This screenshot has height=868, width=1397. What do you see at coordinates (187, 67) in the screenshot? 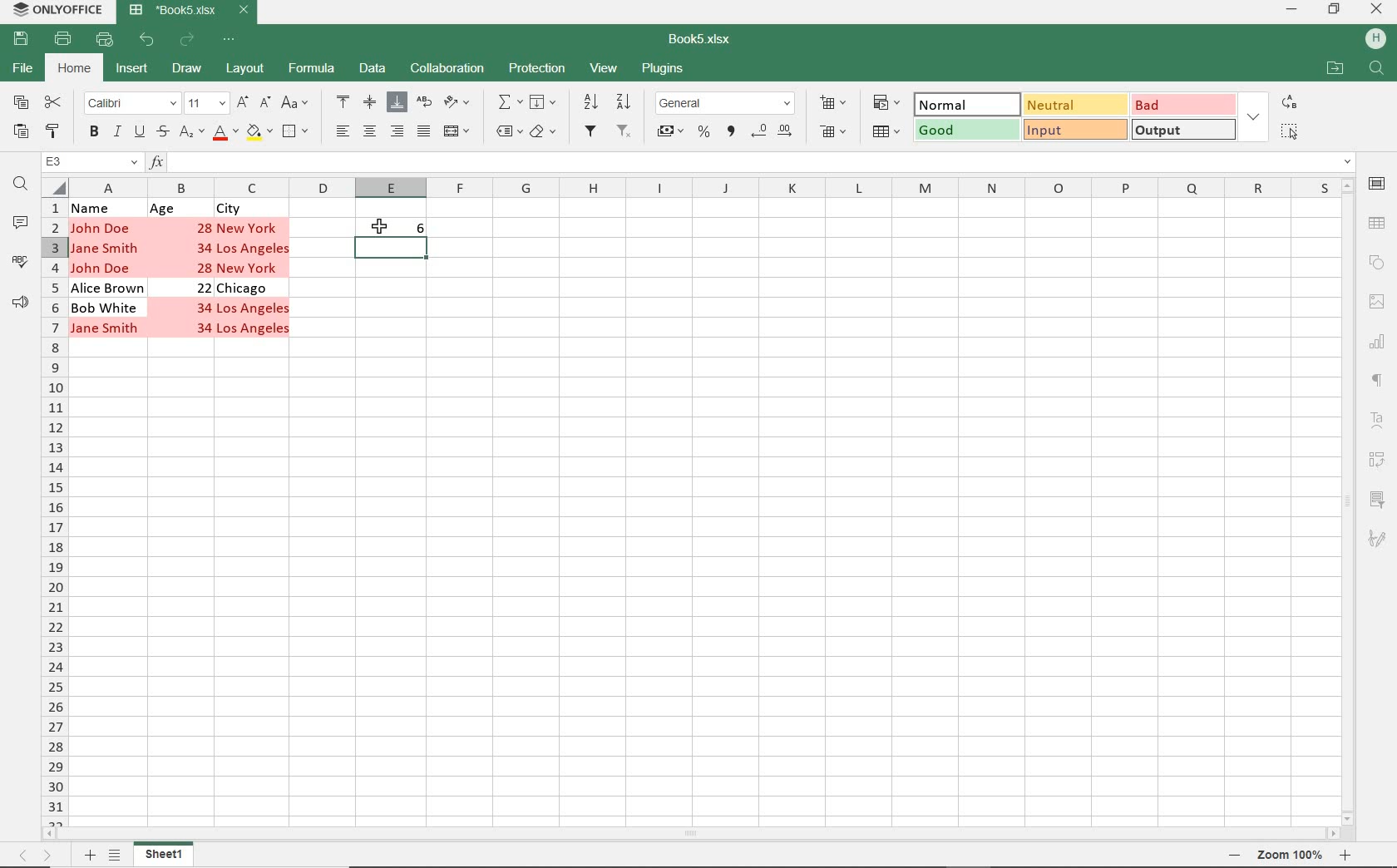
I see `DRAW` at bounding box center [187, 67].